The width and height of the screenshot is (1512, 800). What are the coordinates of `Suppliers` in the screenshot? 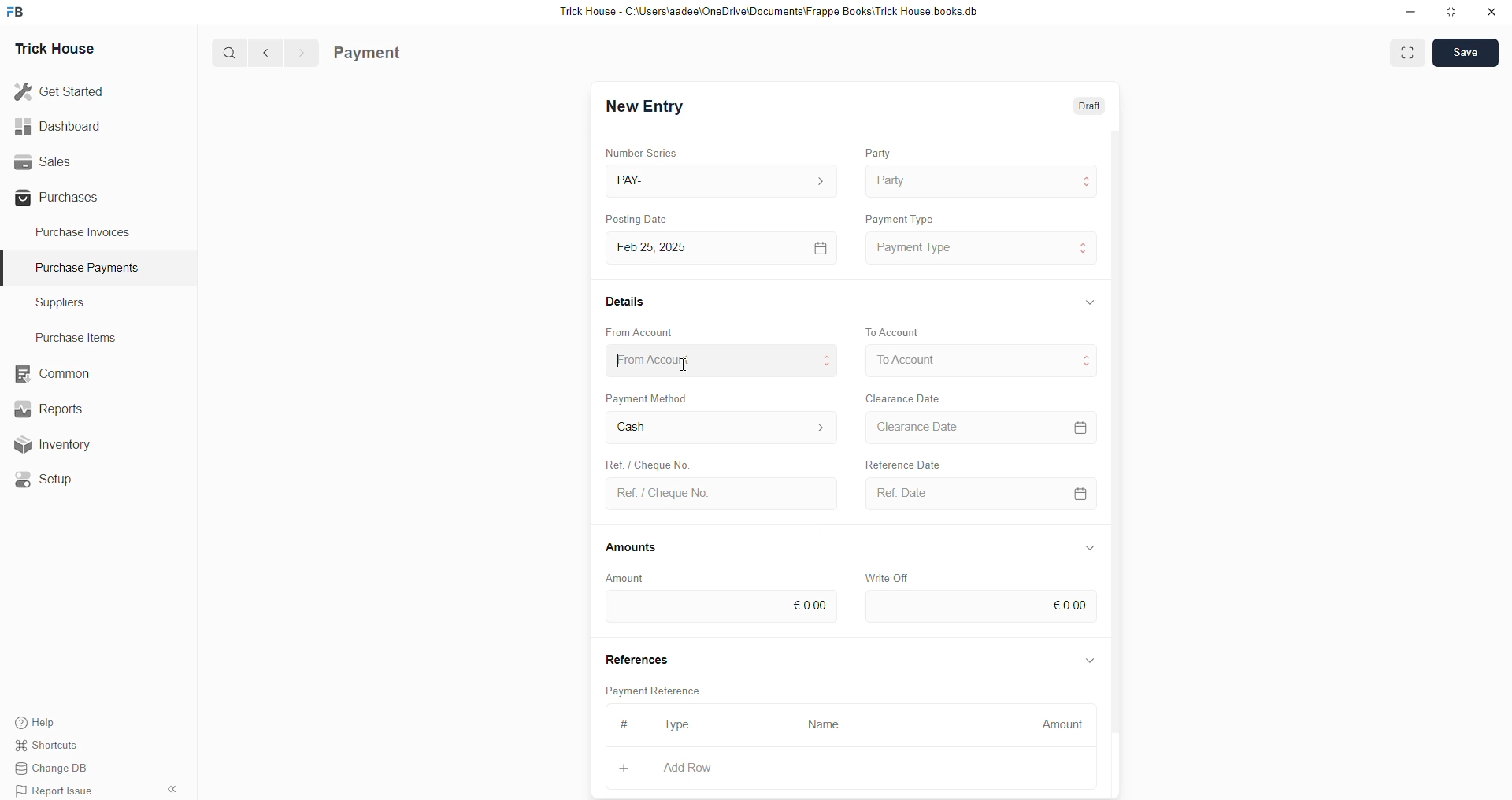 It's located at (54, 302).